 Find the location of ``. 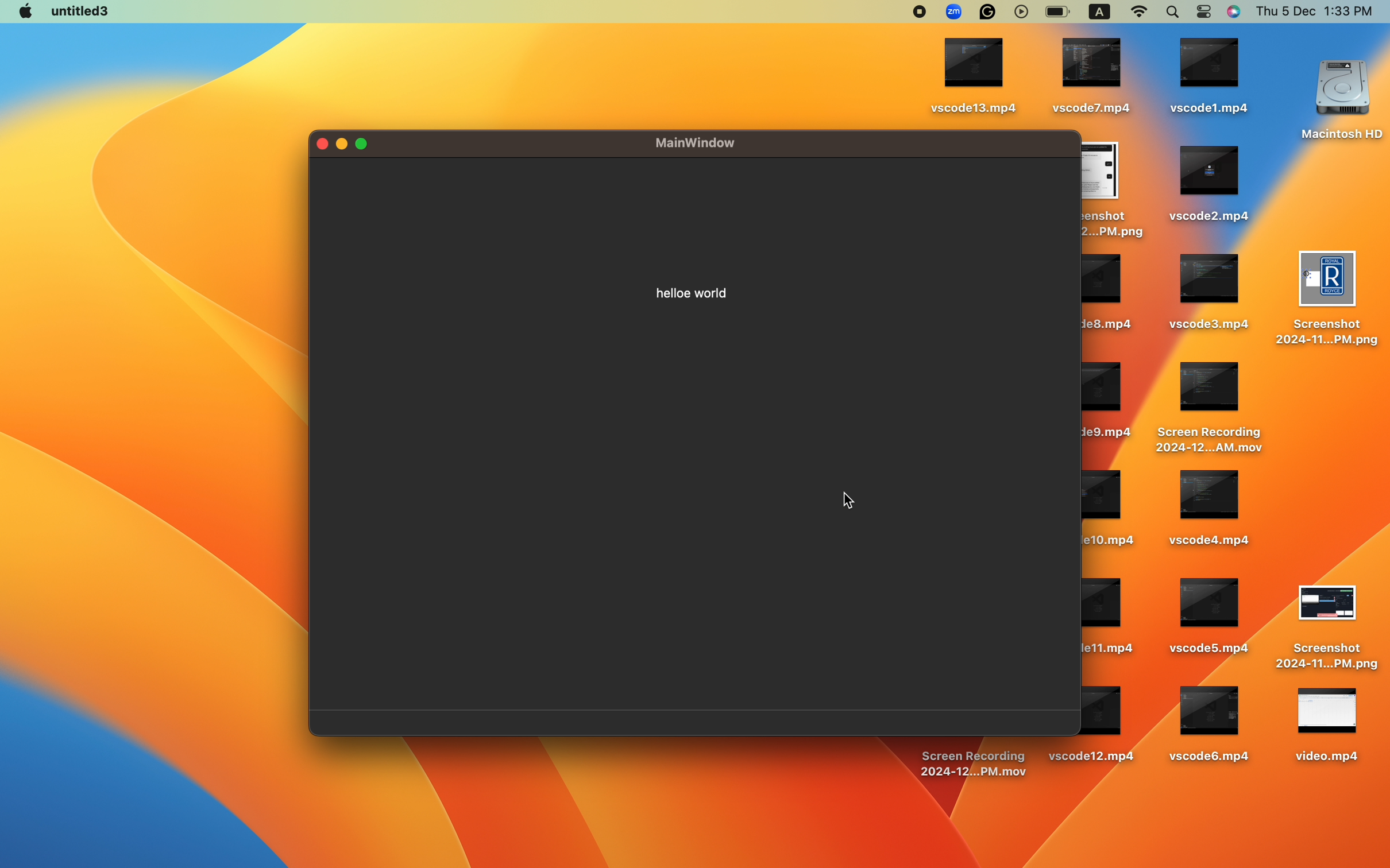

 is located at coordinates (1147, 85).